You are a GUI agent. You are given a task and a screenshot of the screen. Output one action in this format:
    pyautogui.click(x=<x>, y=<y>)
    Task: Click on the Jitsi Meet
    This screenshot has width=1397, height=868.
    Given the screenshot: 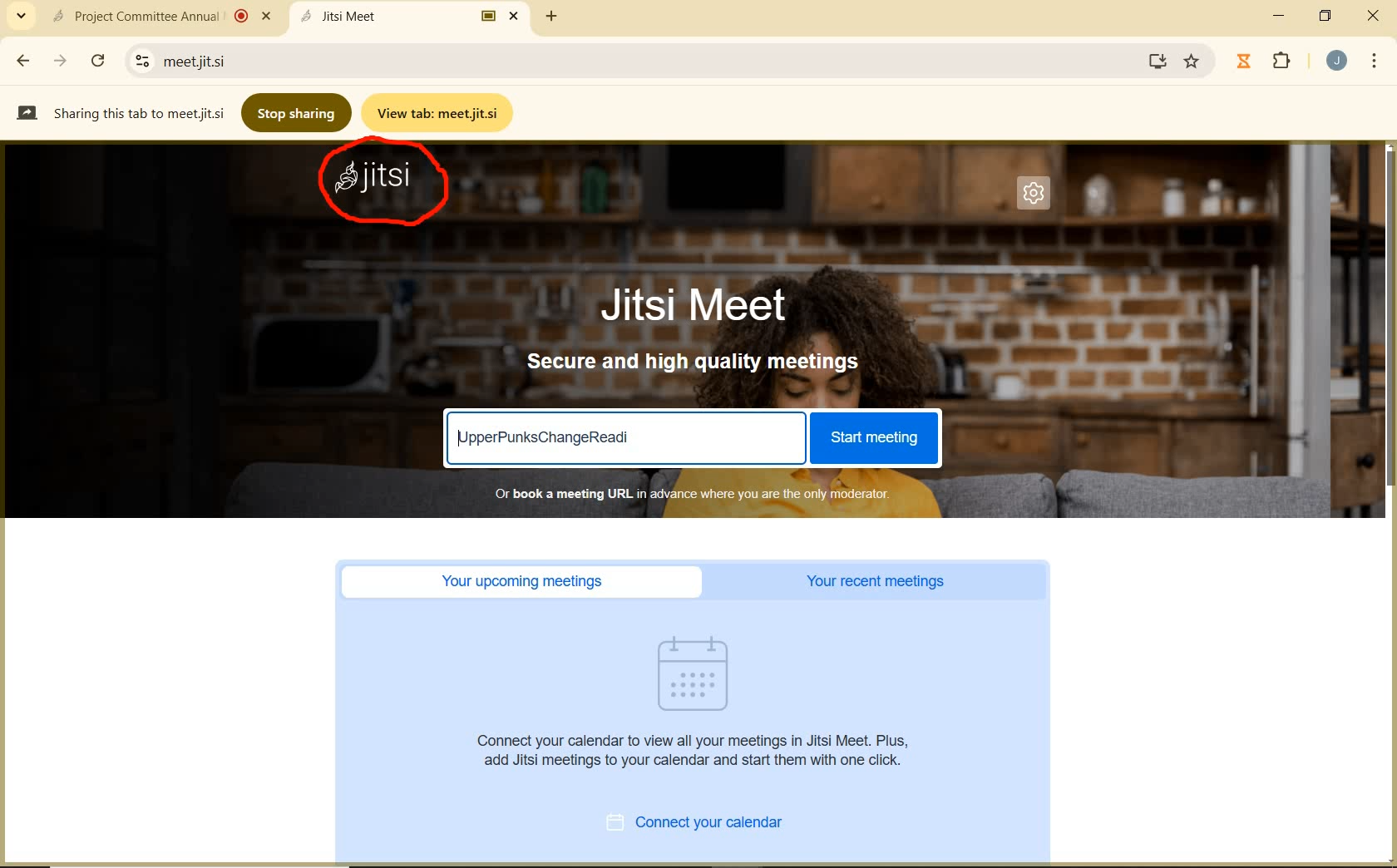 What is the action you would take?
    pyautogui.click(x=412, y=16)
    